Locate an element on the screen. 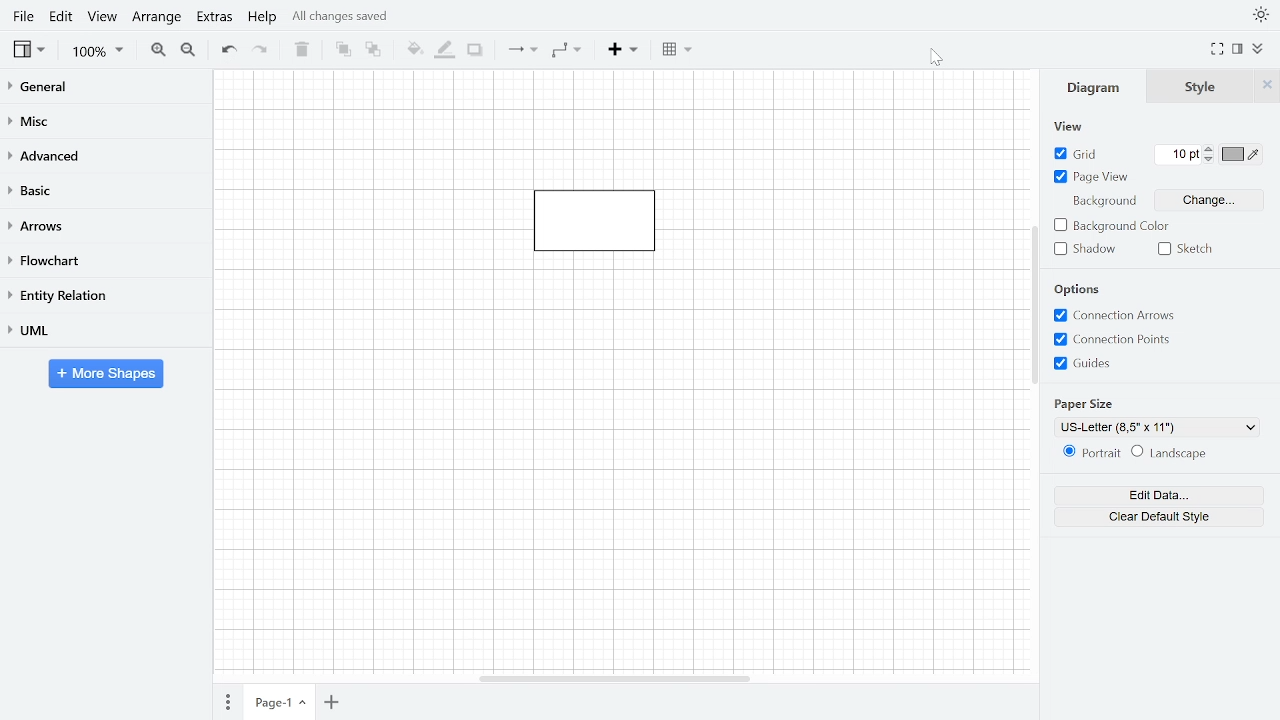 This screenshot has height=720, width=1280. Misc is located at coordinates (103, 122).